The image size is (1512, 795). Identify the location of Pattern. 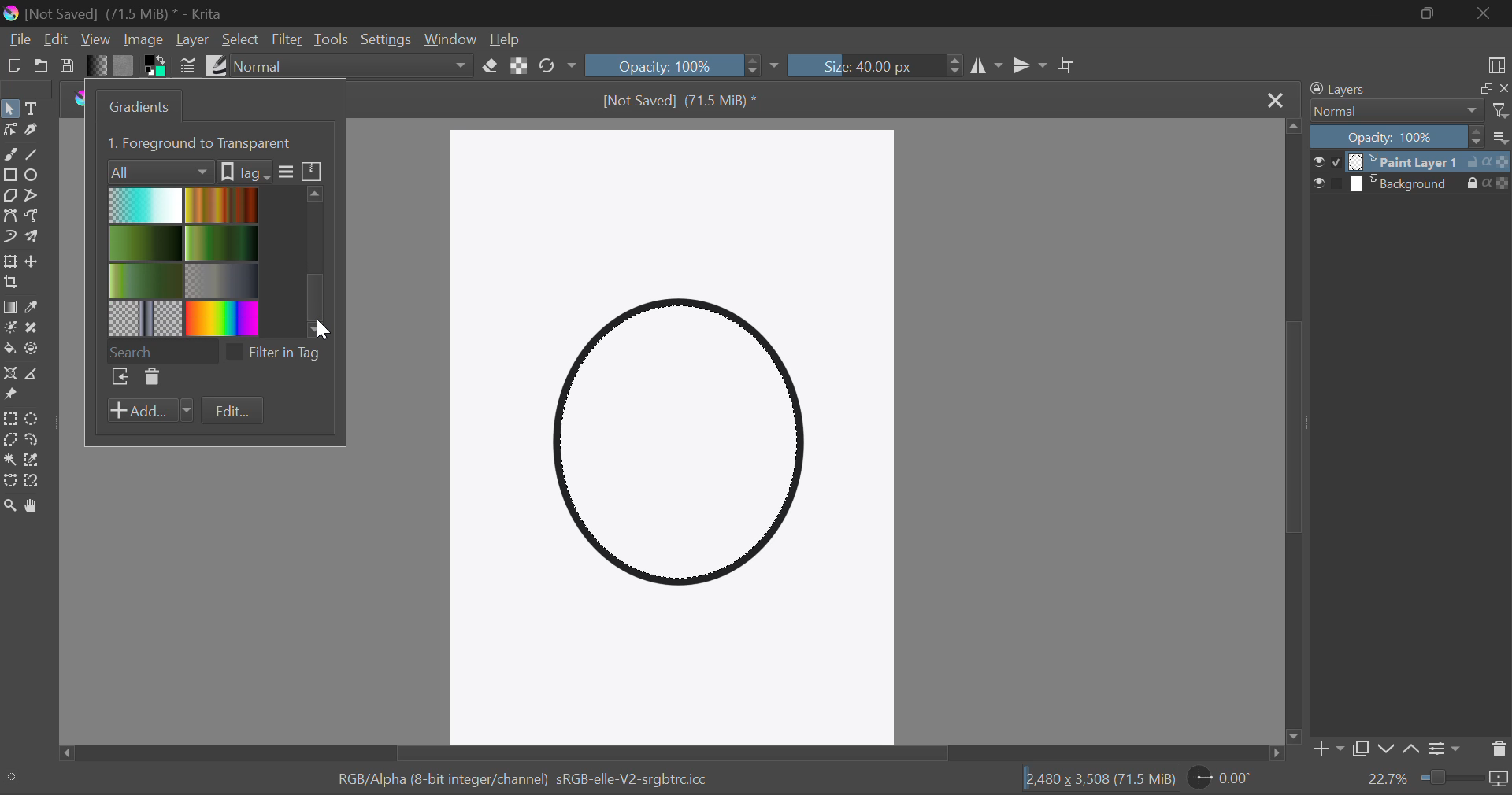
(124, 66).